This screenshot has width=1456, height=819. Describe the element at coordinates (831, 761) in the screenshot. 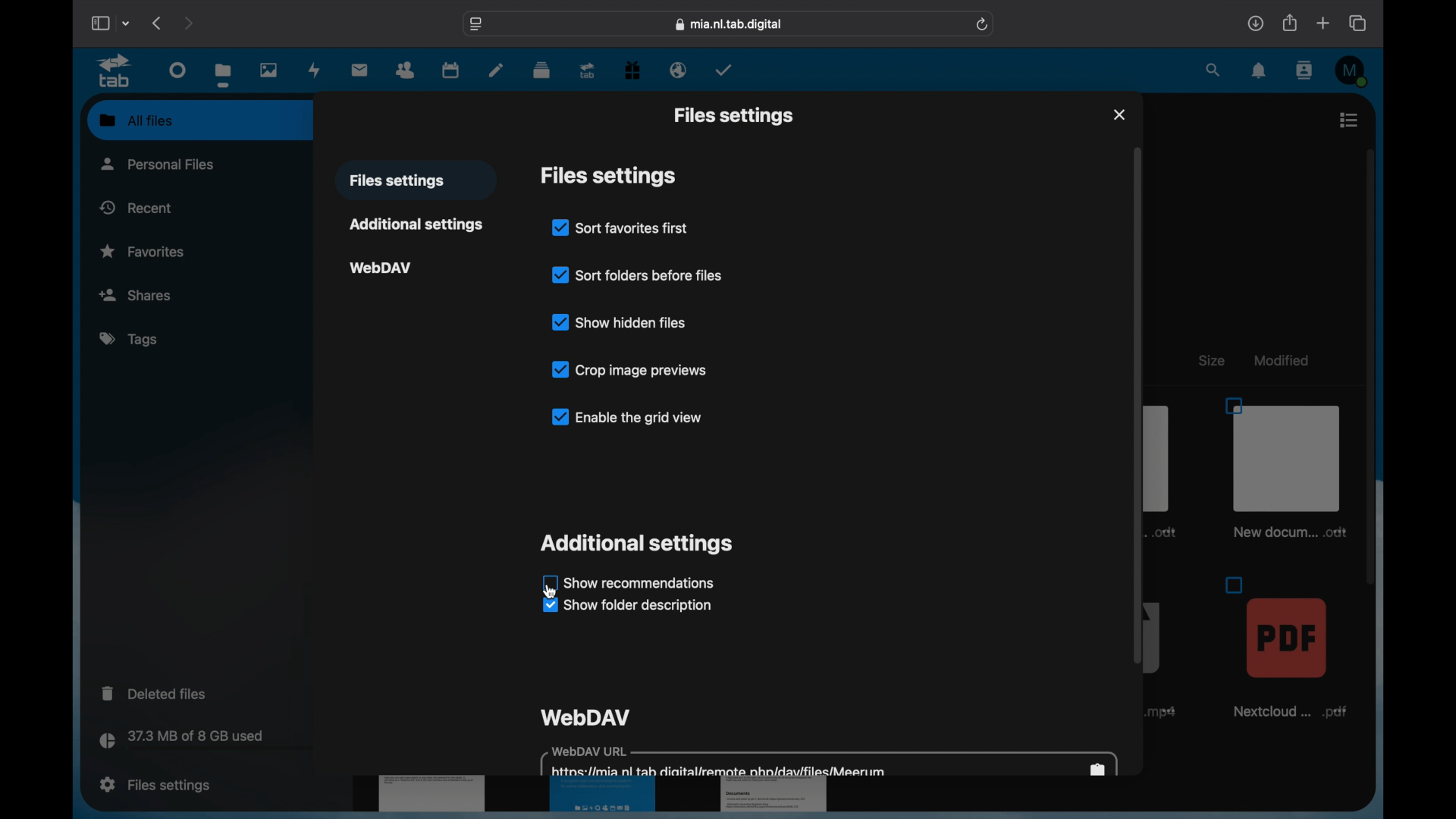

I see `webdav url` at that location.